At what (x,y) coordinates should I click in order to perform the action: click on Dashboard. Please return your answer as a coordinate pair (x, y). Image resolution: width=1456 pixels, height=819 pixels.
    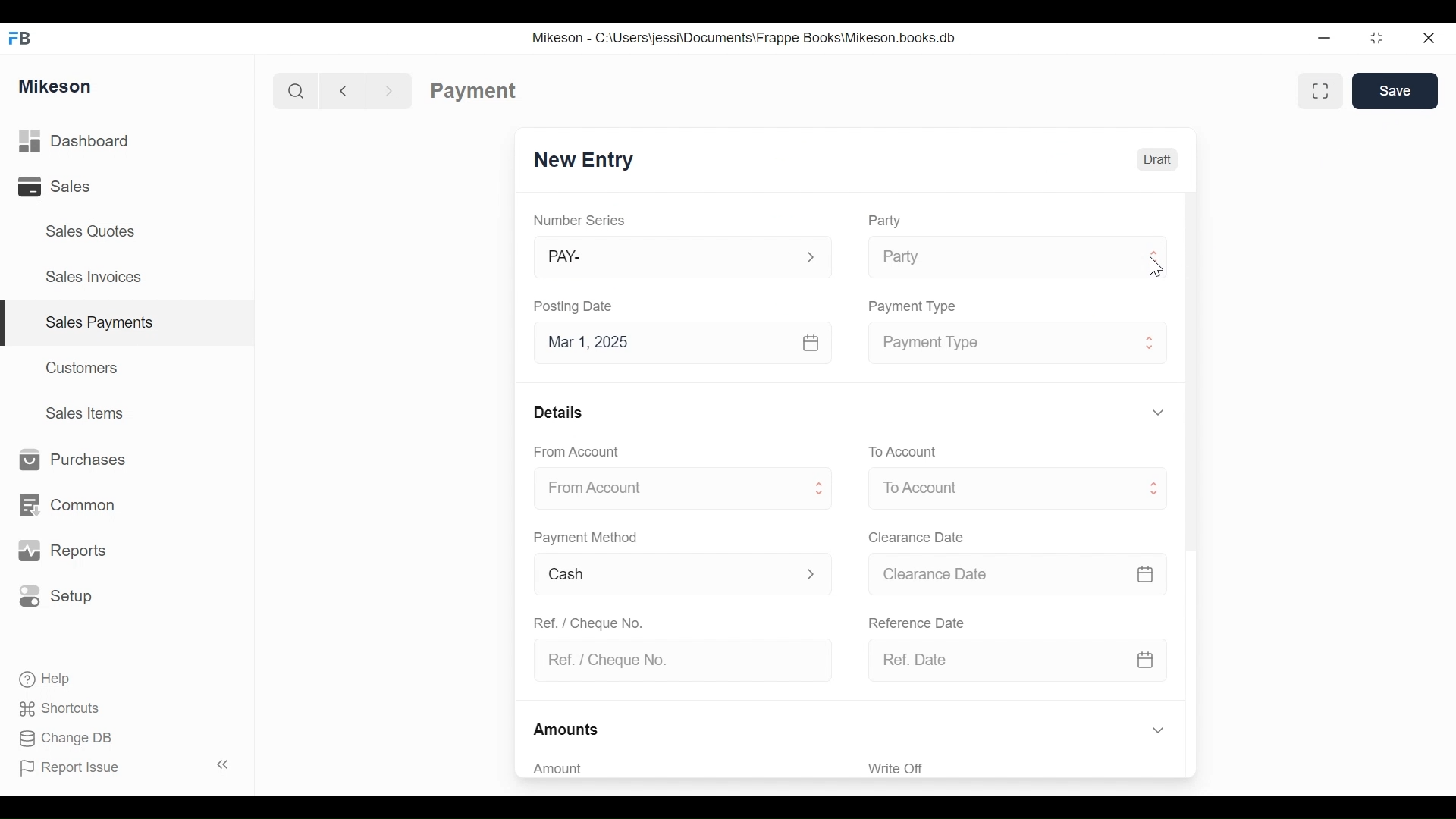
    Looking at the image, I should click on (99, 142).